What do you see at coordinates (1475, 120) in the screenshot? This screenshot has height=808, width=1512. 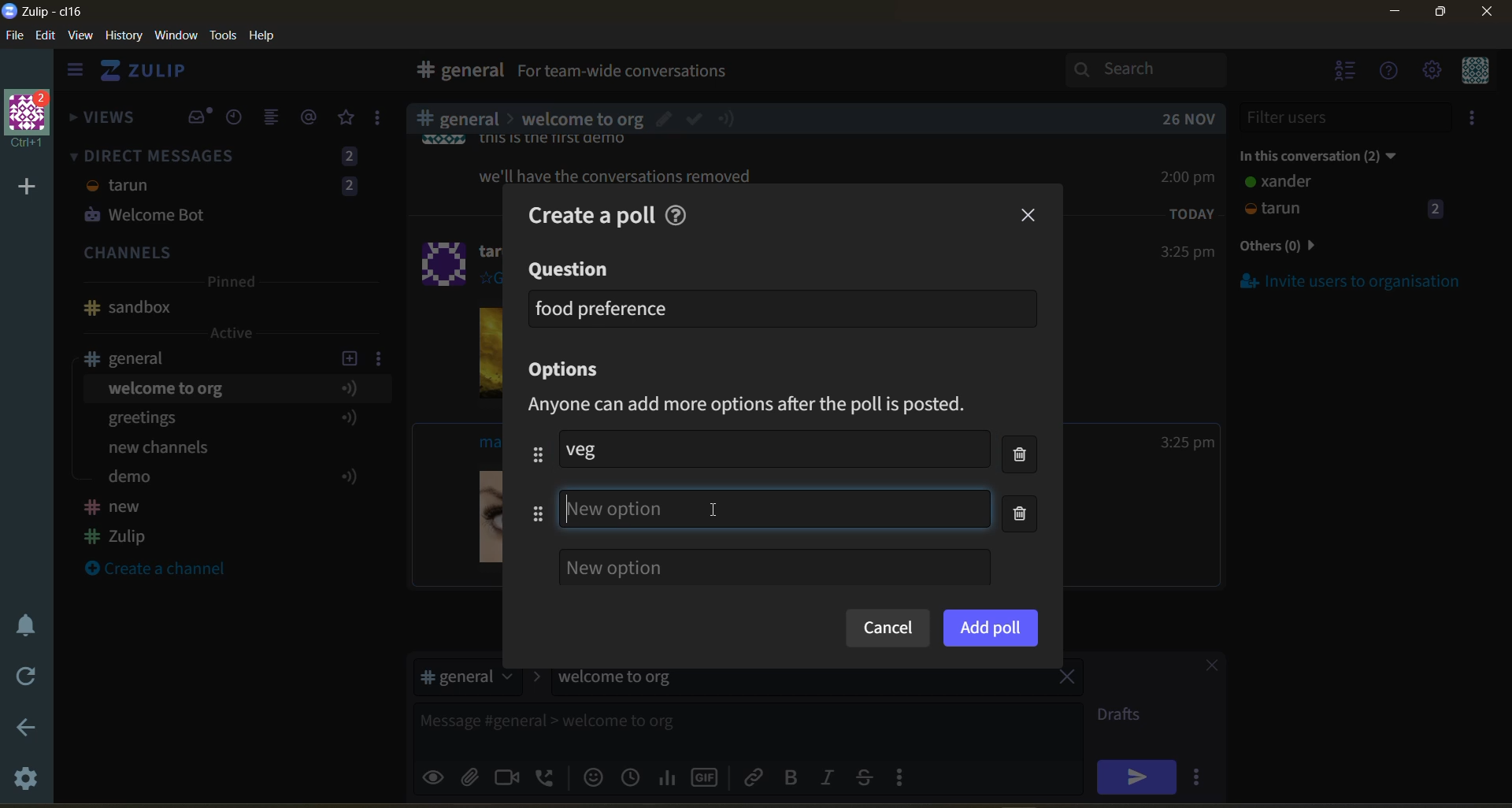 I see `invite users to organisation` at bounding box center [1475, 120].